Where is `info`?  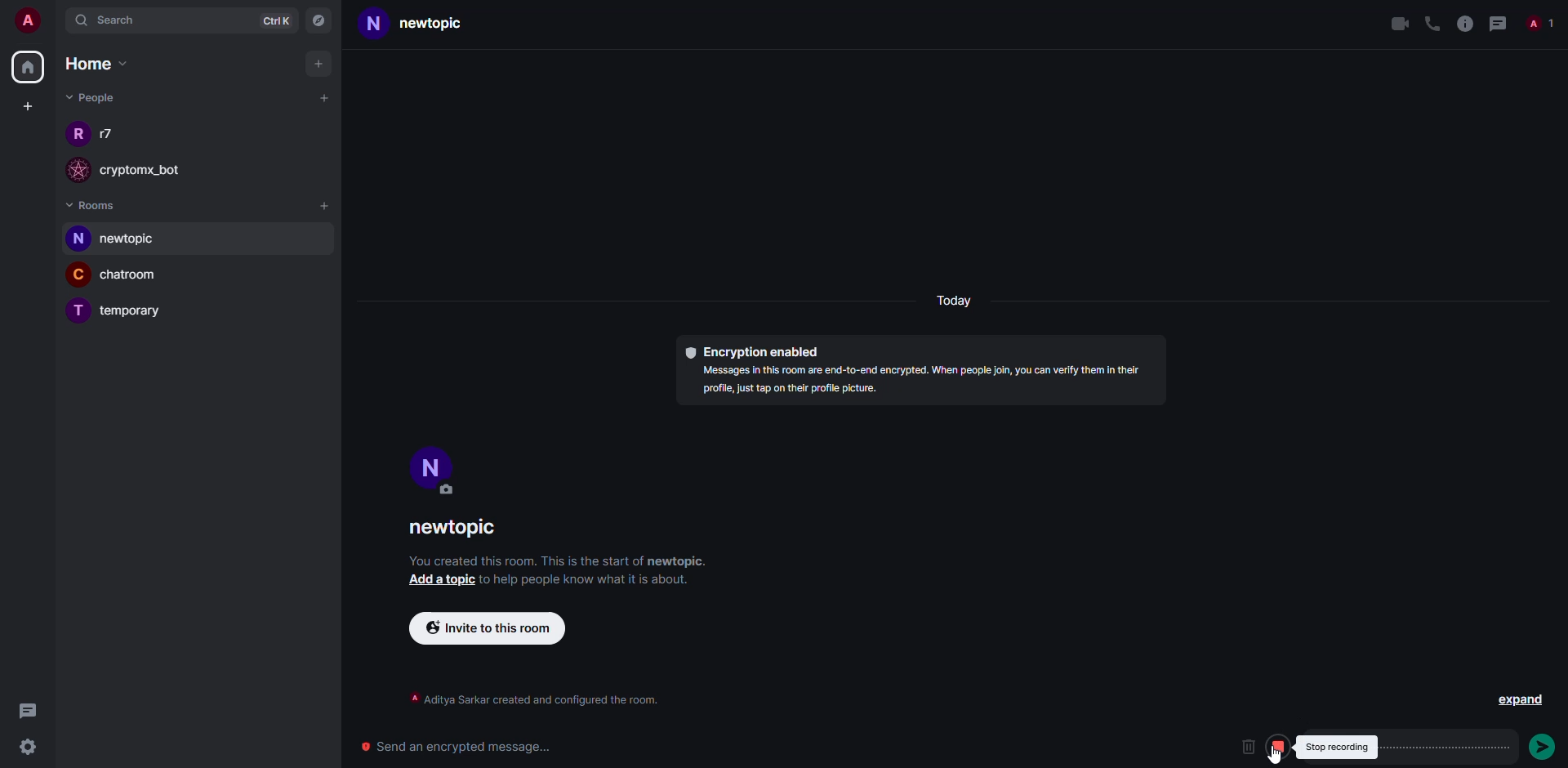
info is located at coordinates (1464, 23).